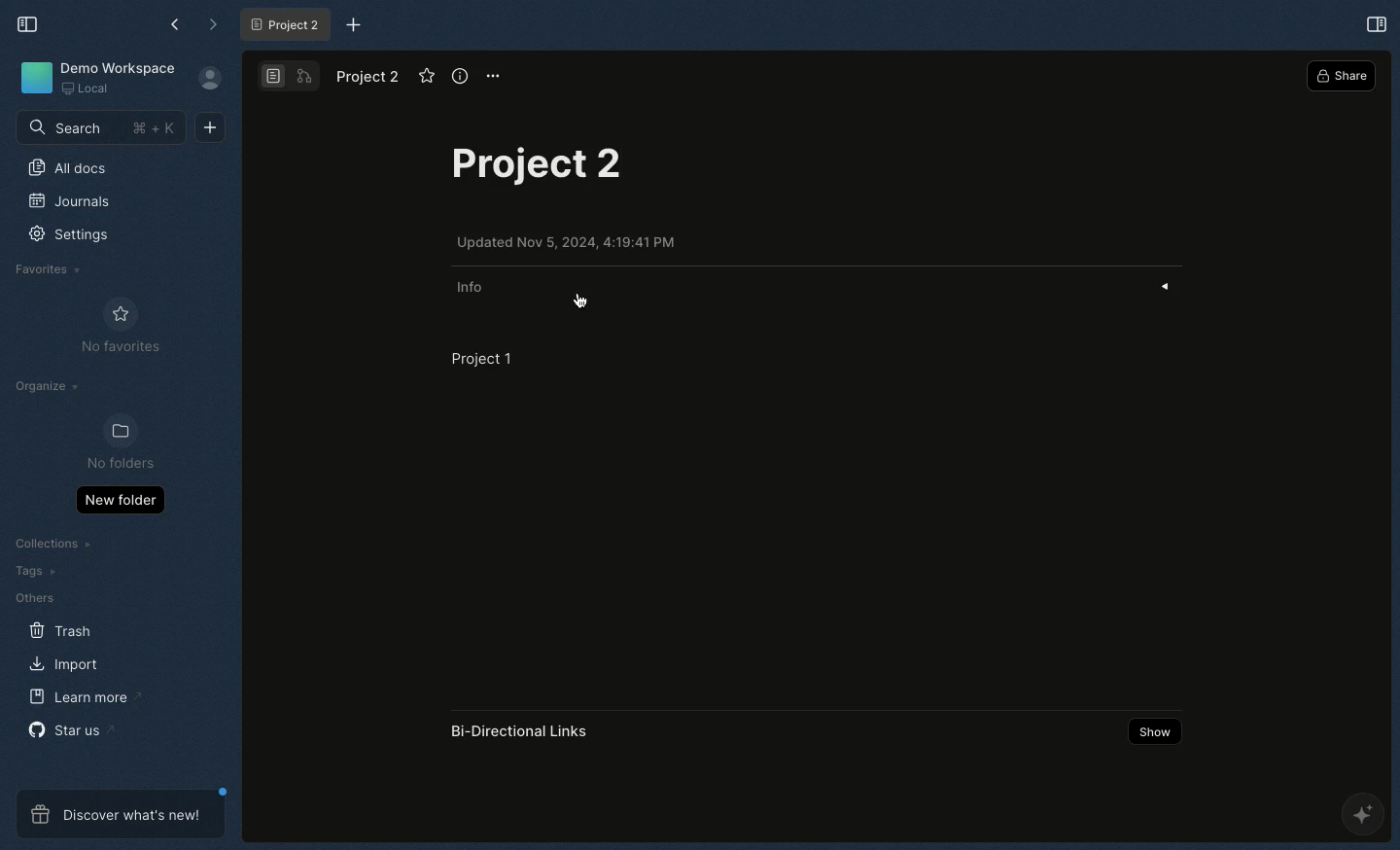 The image size is (1400, 850). I want to click on Switch, so click(291, 77).